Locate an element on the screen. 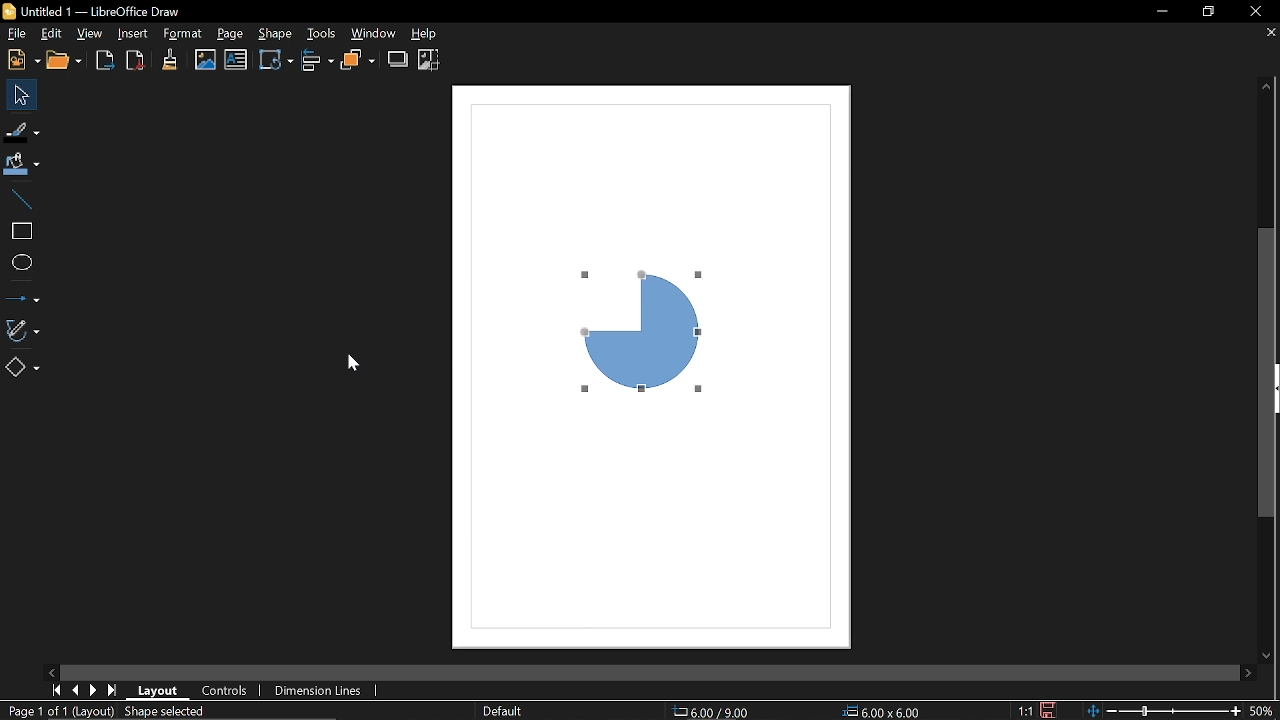 The image size is (1280, 720). Move left is located at coordinates (55, 671).